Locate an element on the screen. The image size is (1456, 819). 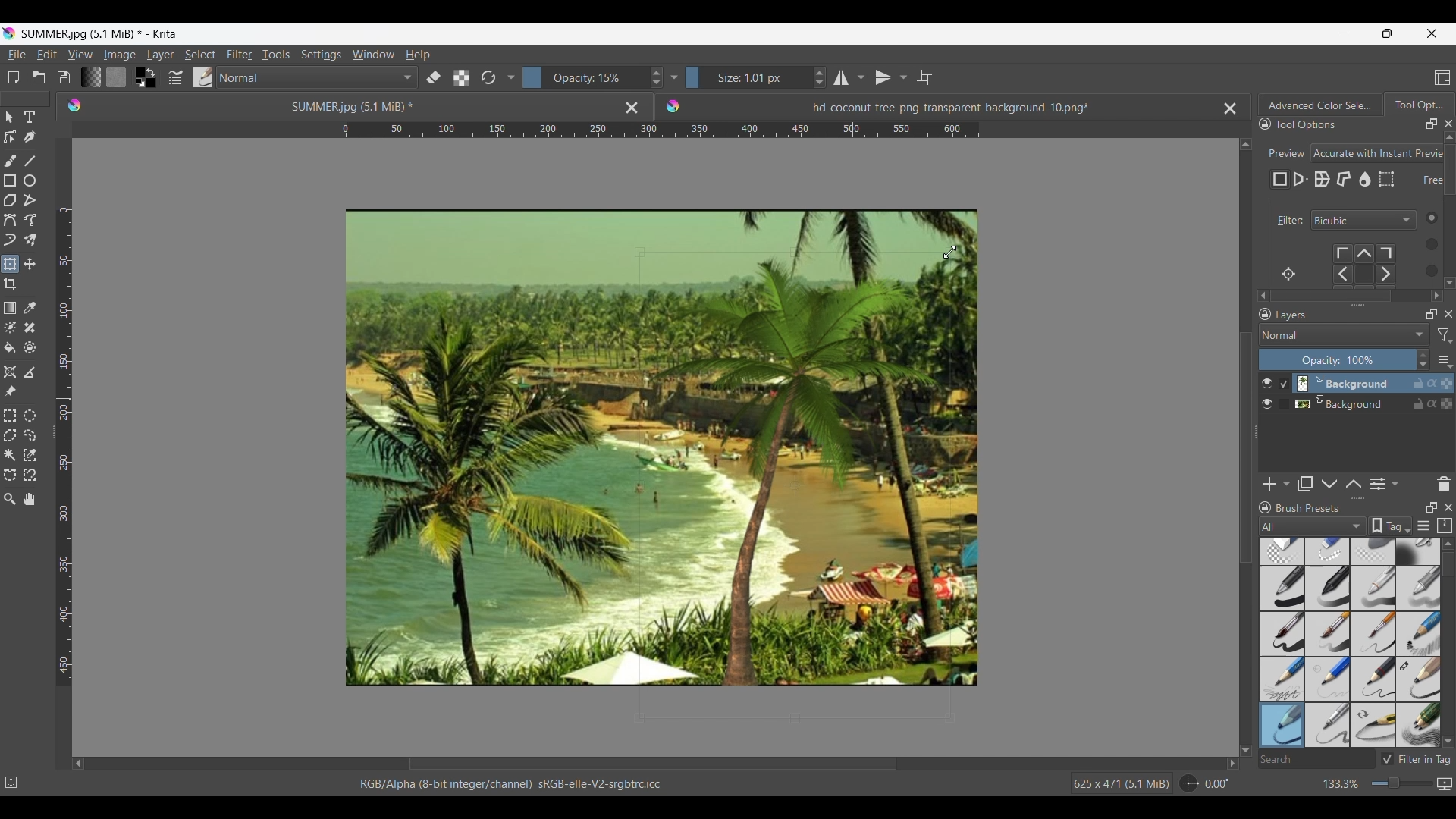
Colorize mask tool is located at coordinates (11, 327).